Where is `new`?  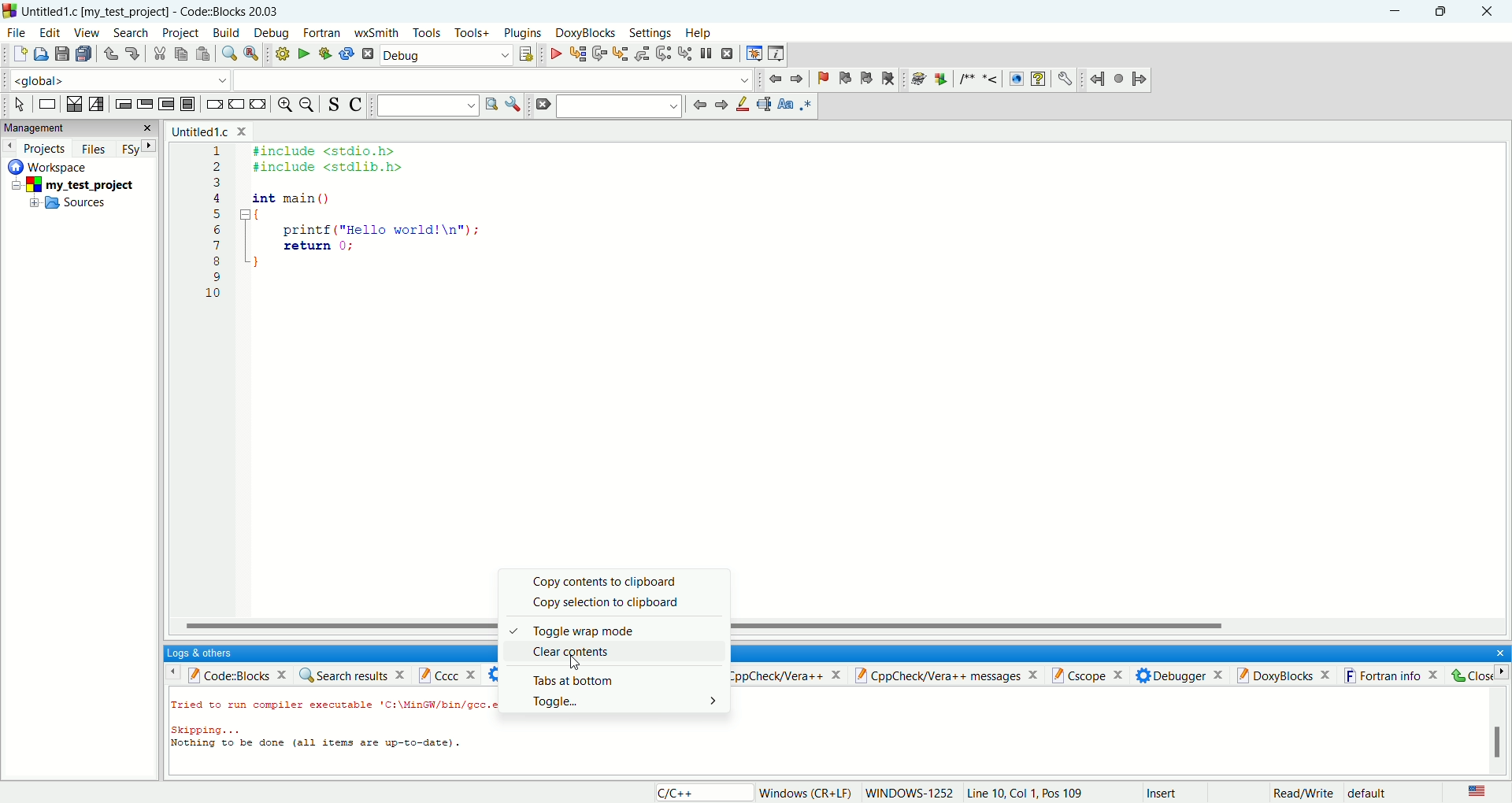 new is located at coordinates (19, 54).